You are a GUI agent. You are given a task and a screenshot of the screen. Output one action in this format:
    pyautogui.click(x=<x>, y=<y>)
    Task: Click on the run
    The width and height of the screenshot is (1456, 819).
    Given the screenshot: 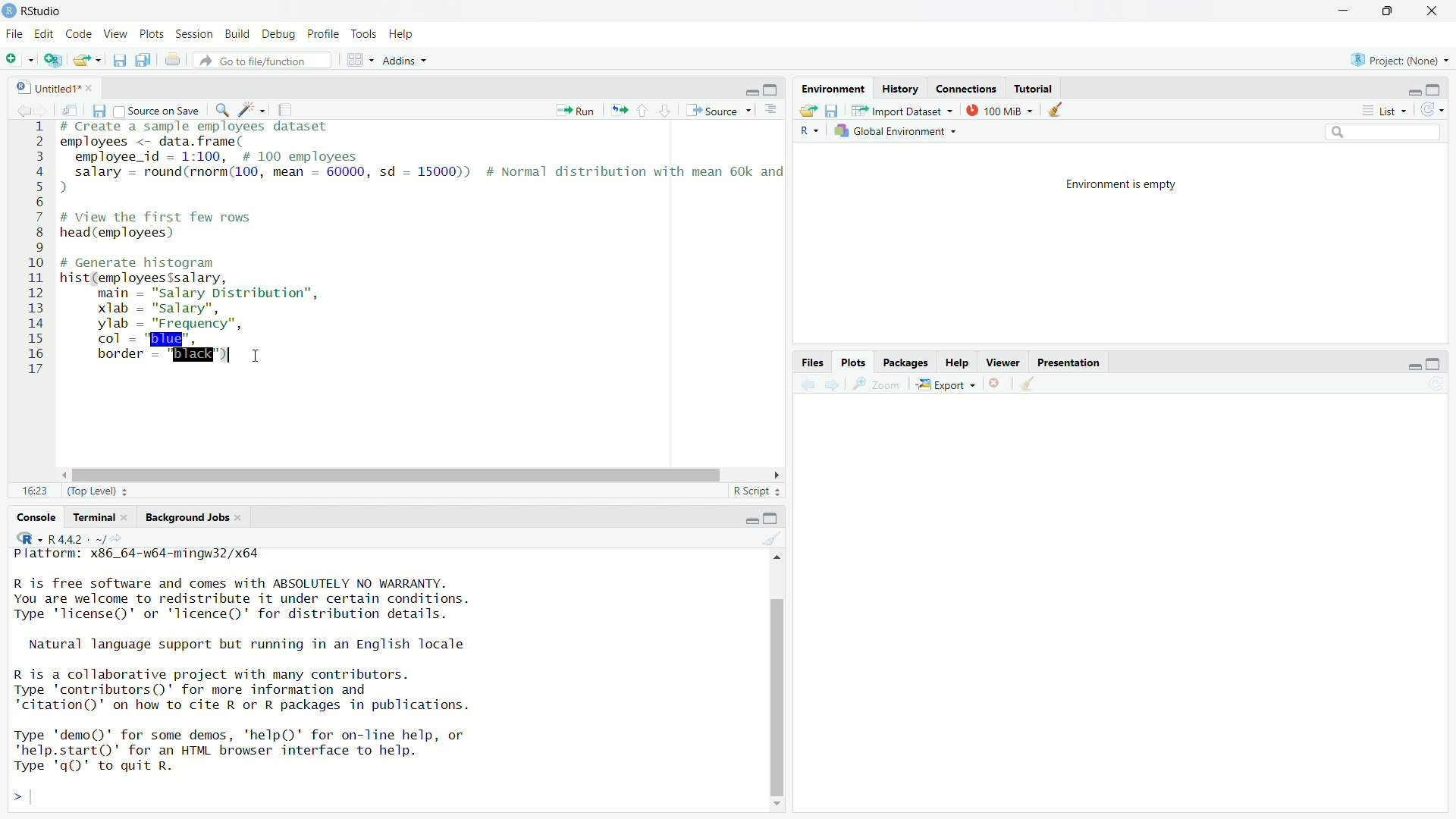 What is the action you would take?
    pyautogui.click(x=618, y=110)
    